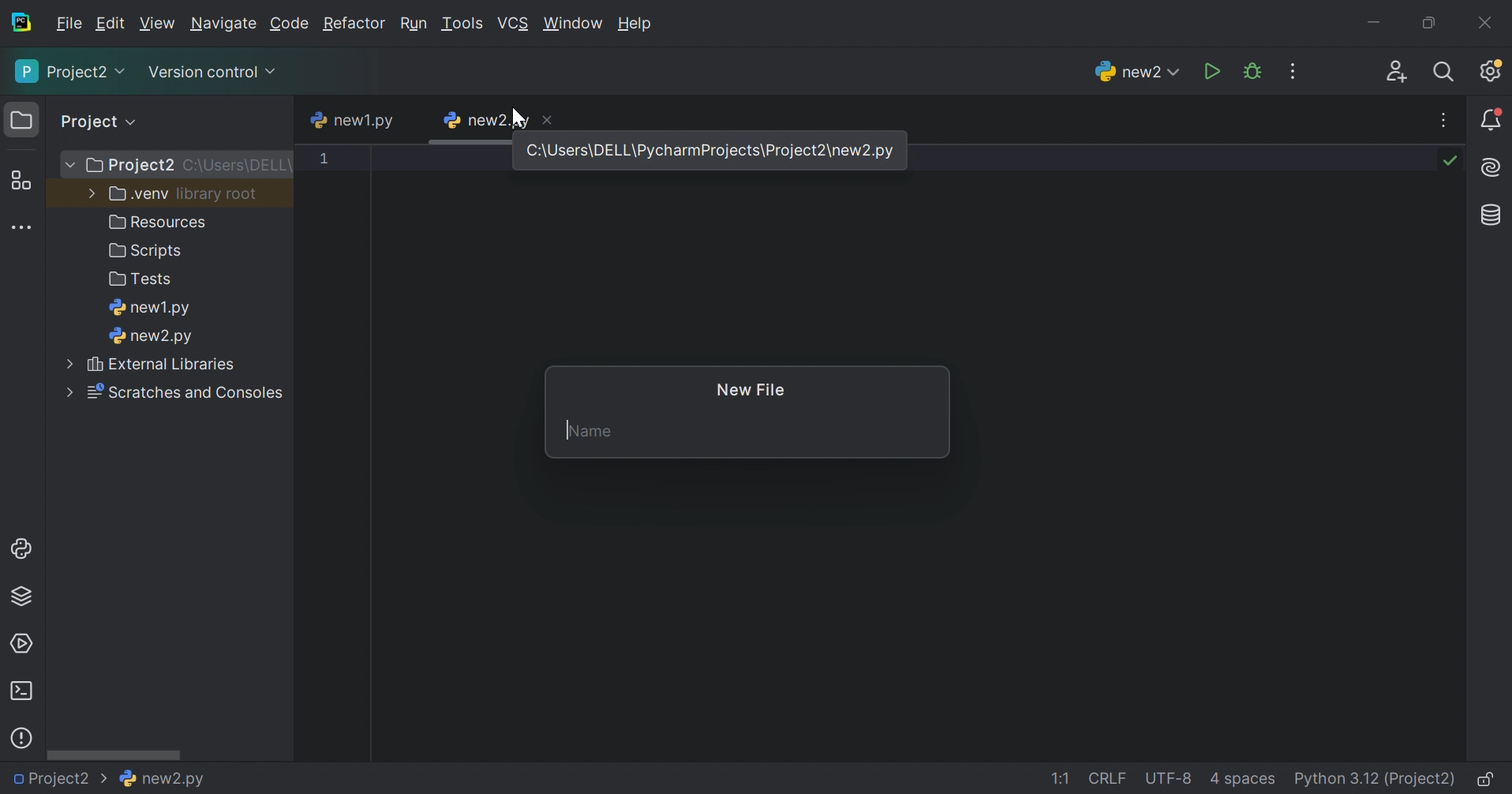 The image size is (1512, 794). What do you see at coordinates (22, 691) in the screenshot?
I see `Terminal` at bounding box center [22, 691].